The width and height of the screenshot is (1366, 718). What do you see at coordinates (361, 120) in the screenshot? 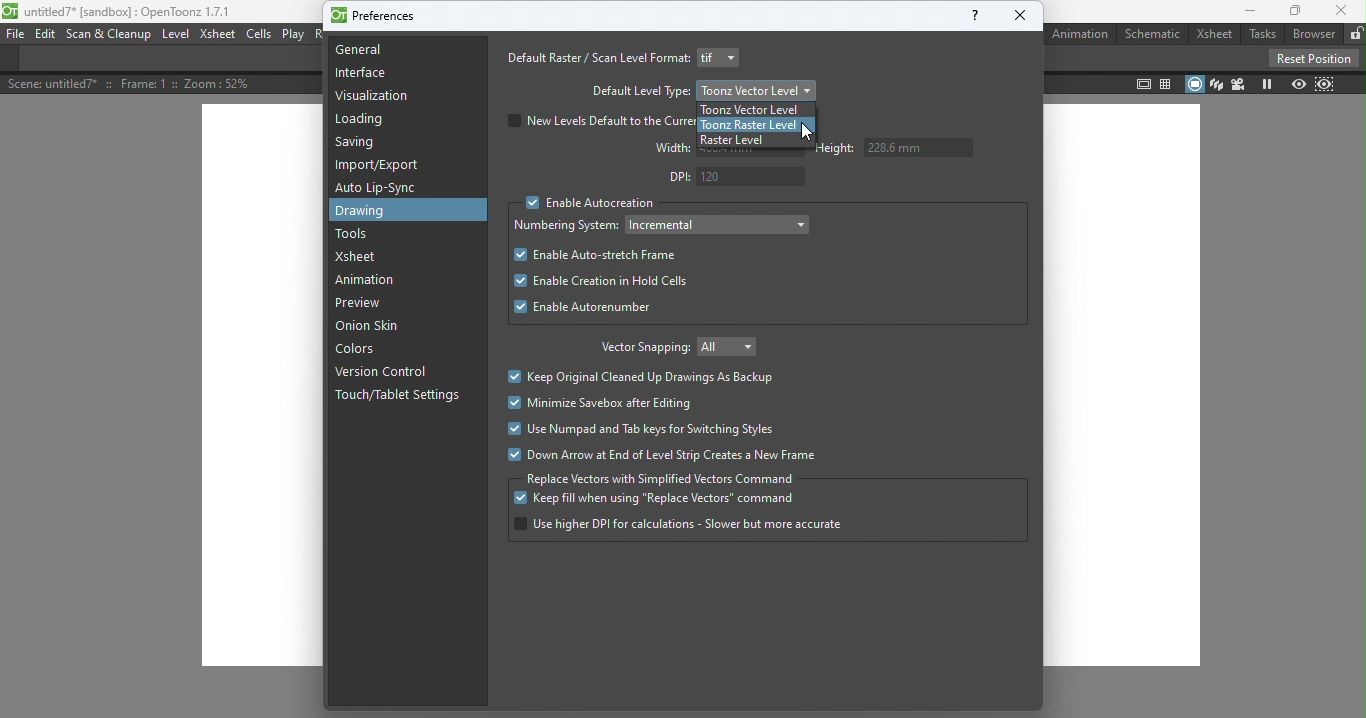
I see `Loading` at bounding box center [361, 120].